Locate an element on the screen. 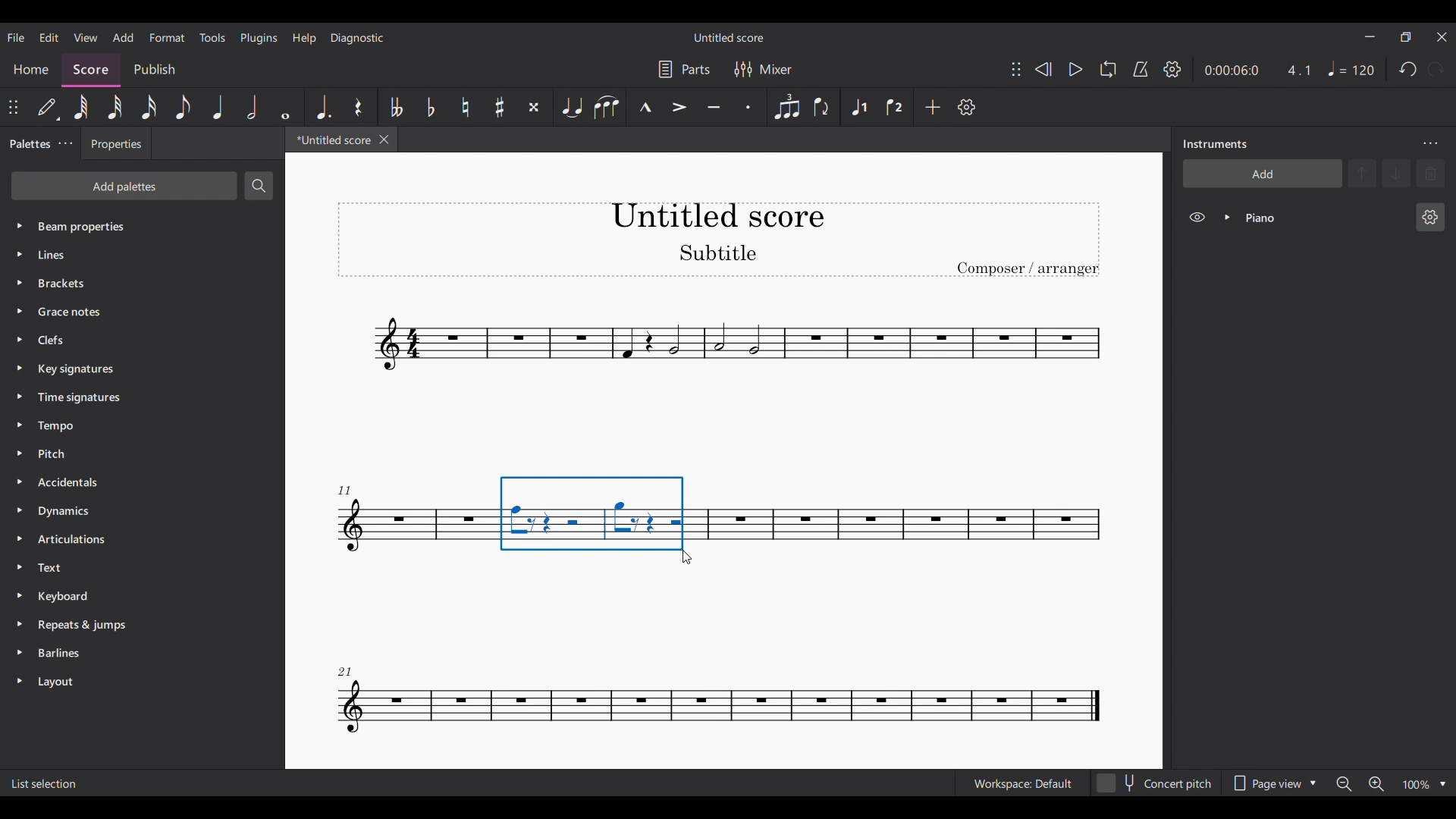 This screenshot has width=1456, height=819. Edit menu is located at coordinates (49, 37).